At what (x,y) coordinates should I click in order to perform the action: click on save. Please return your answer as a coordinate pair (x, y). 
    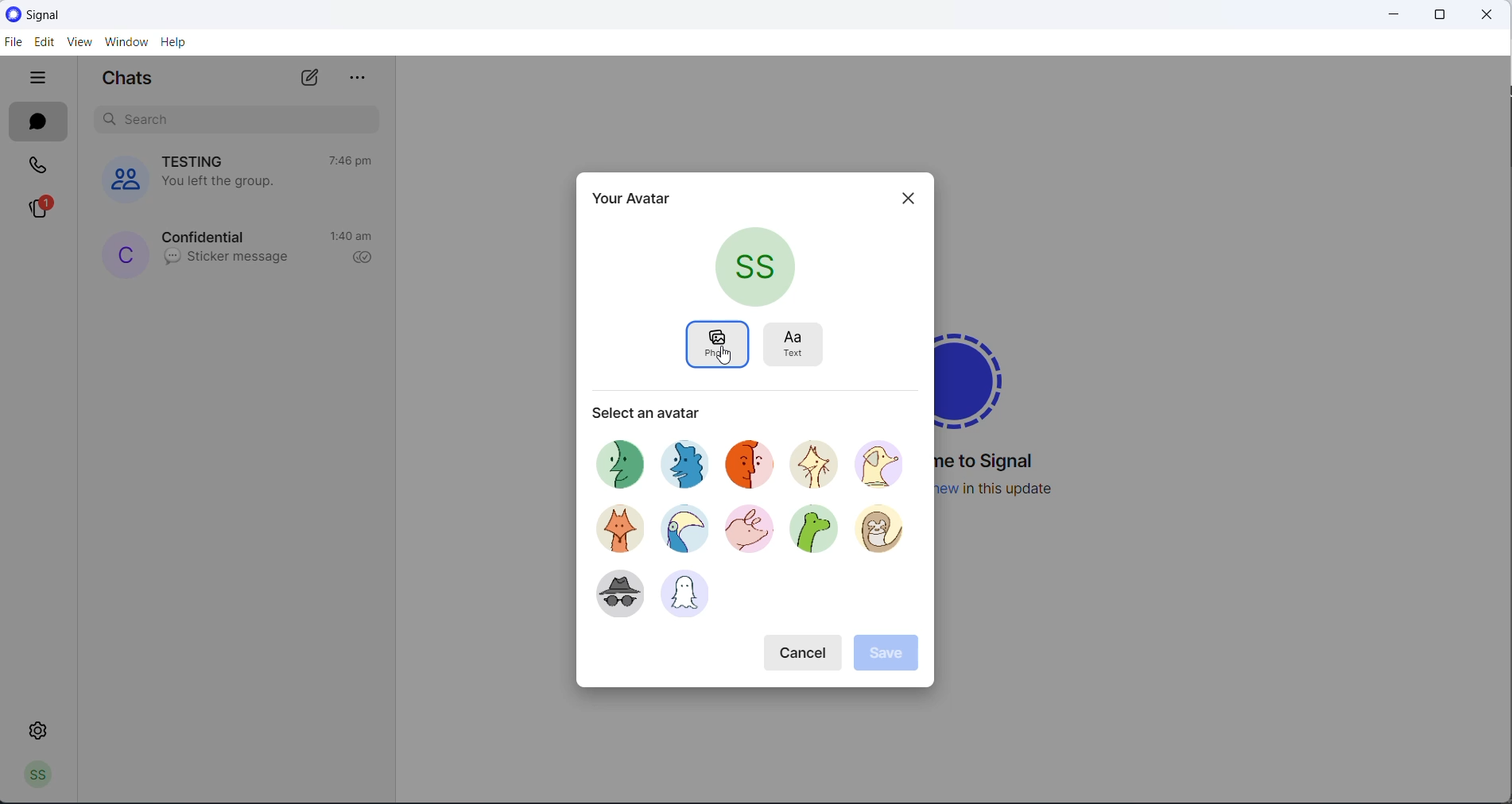
    Looking at the image, I should click on (888, 654).